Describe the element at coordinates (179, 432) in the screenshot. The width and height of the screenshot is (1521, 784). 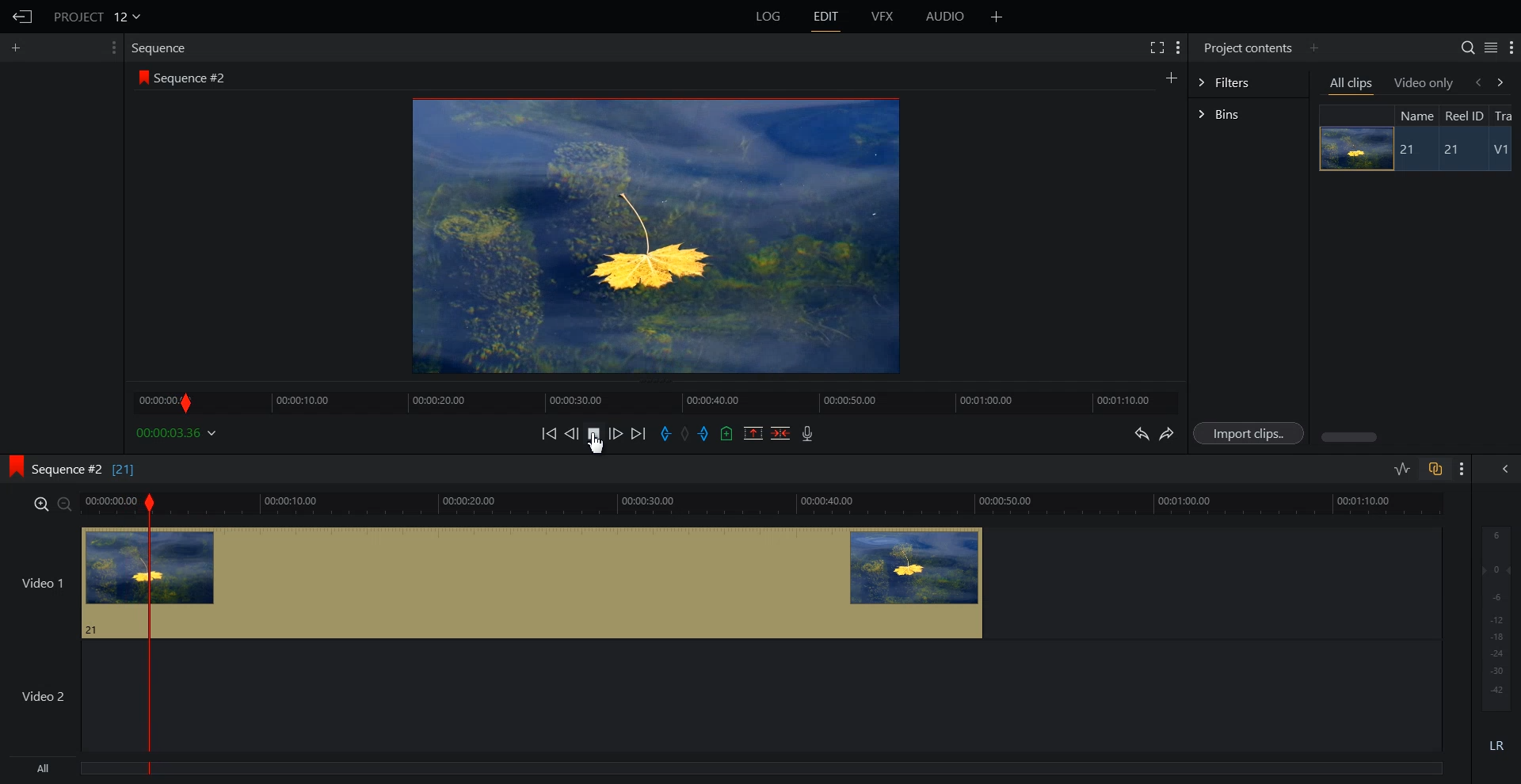
I see `00:00:00.00` at that location.